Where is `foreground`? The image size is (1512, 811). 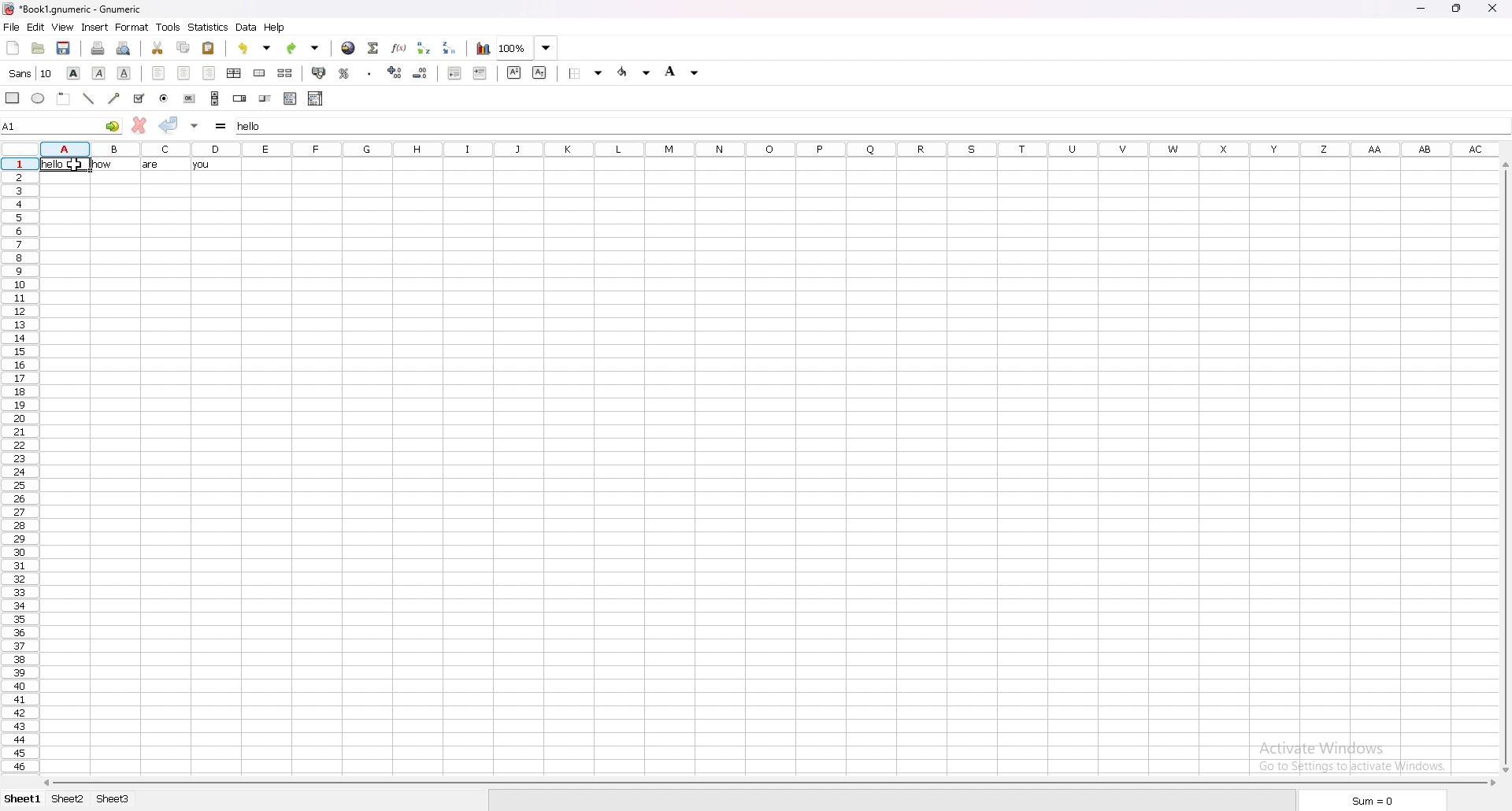 foreground is located at coordinates (634, 72).